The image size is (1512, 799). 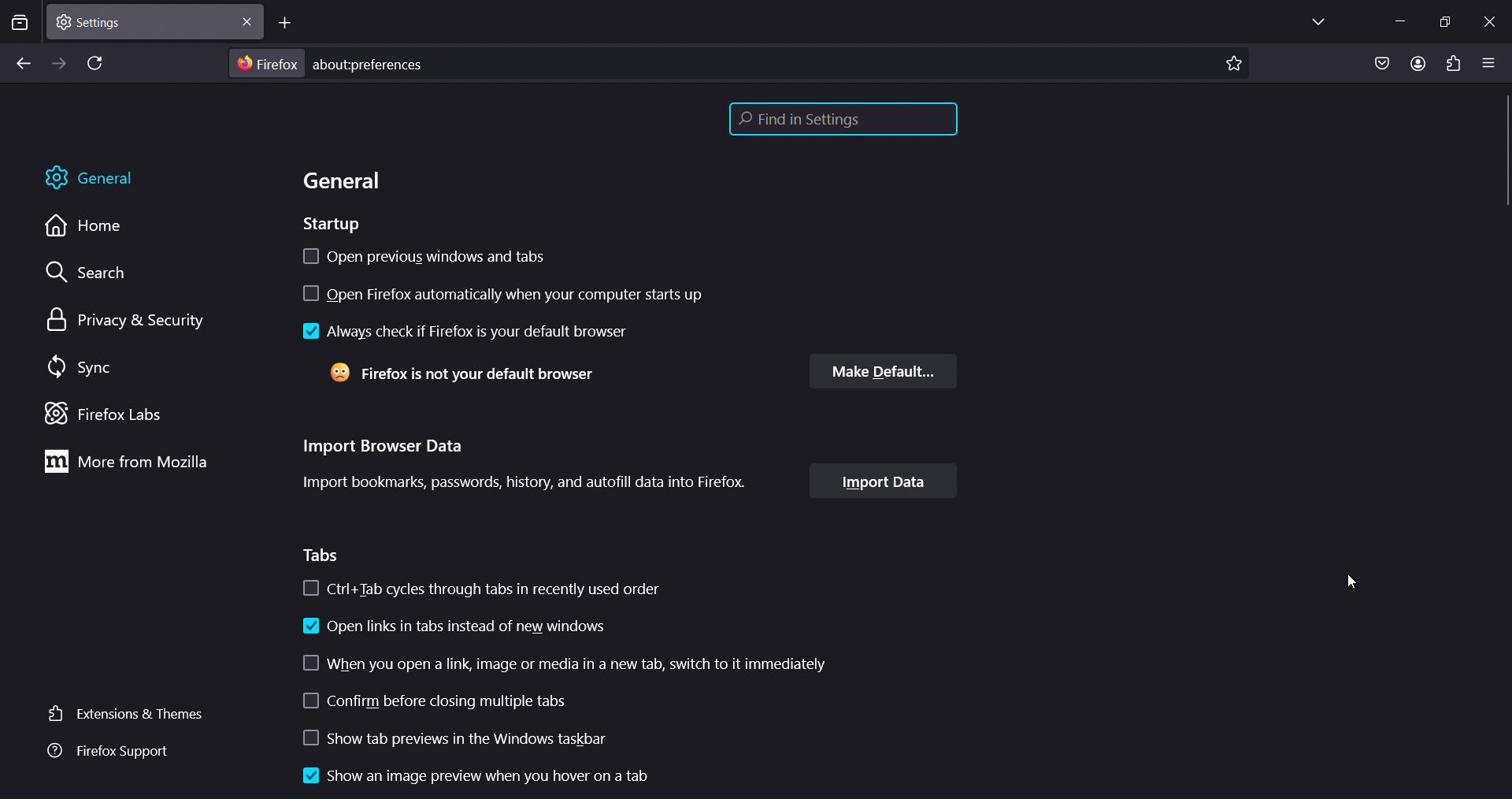 I want to click on open previous windows and tabs, so click(x=418, y=258).